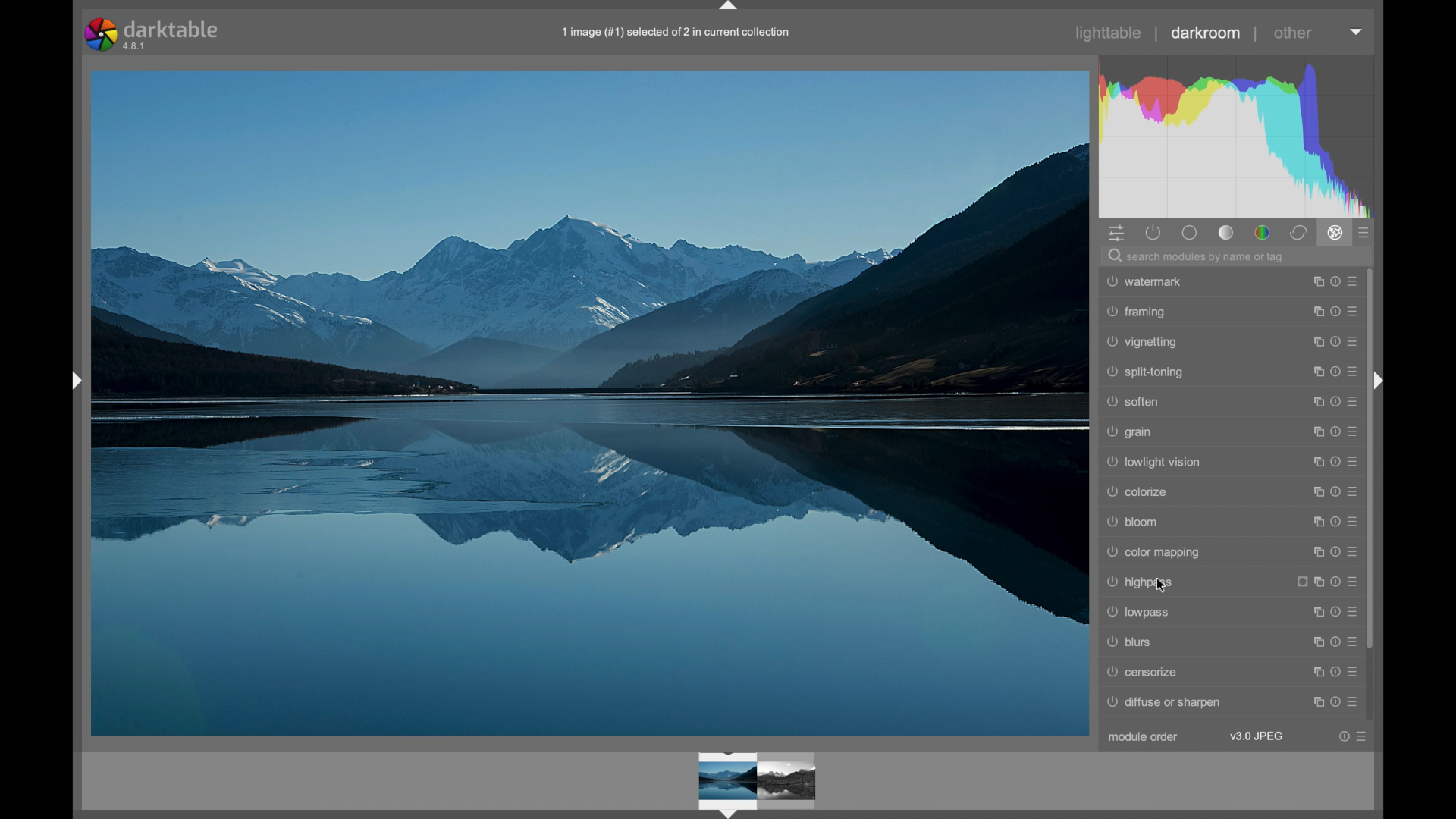 The height and width of the screenshot is (819, 1456). Describe the element at coordinates (1337, 701) in the screenshot. I see `more options` at that location.